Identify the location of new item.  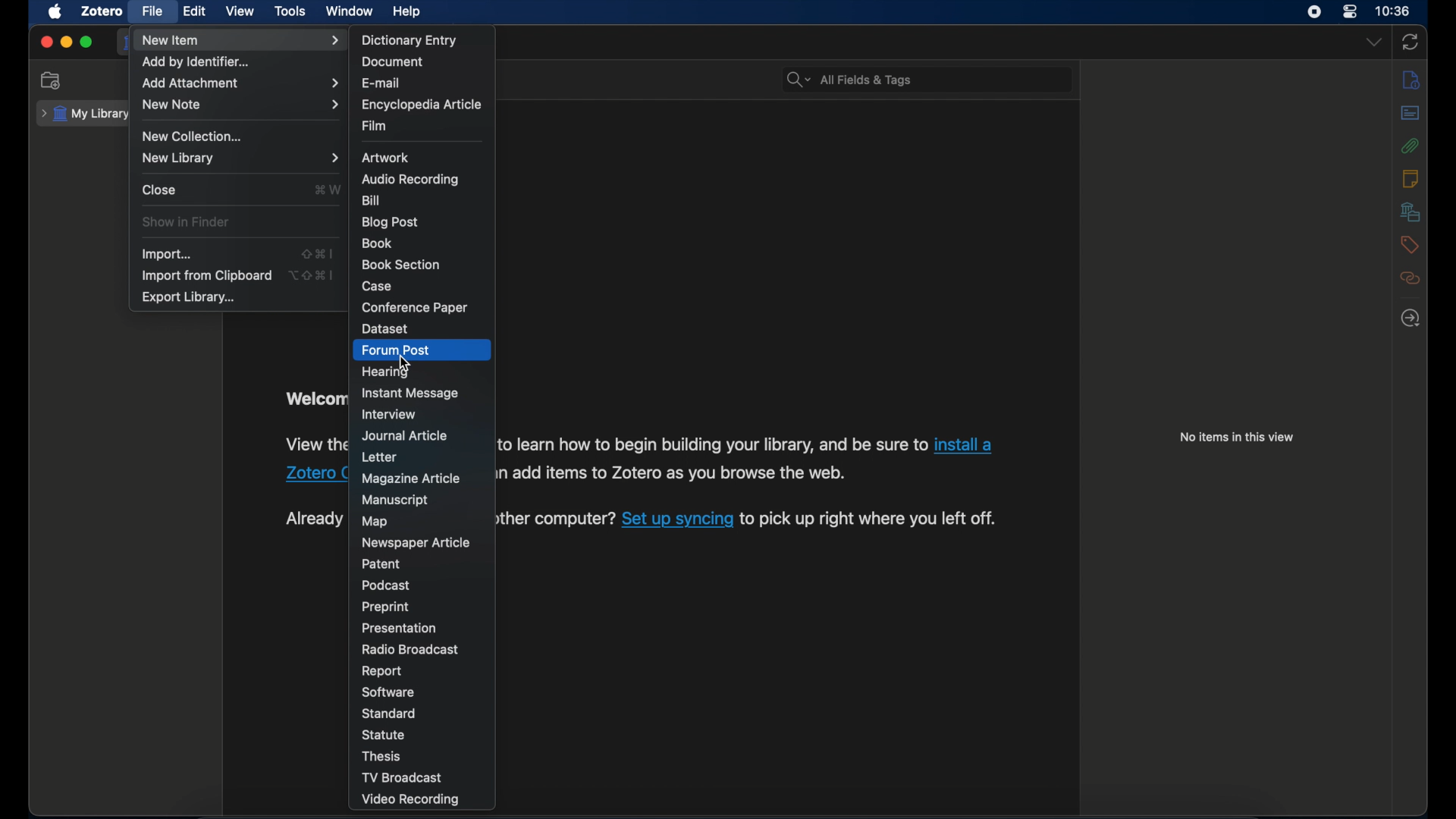
(242, 40).